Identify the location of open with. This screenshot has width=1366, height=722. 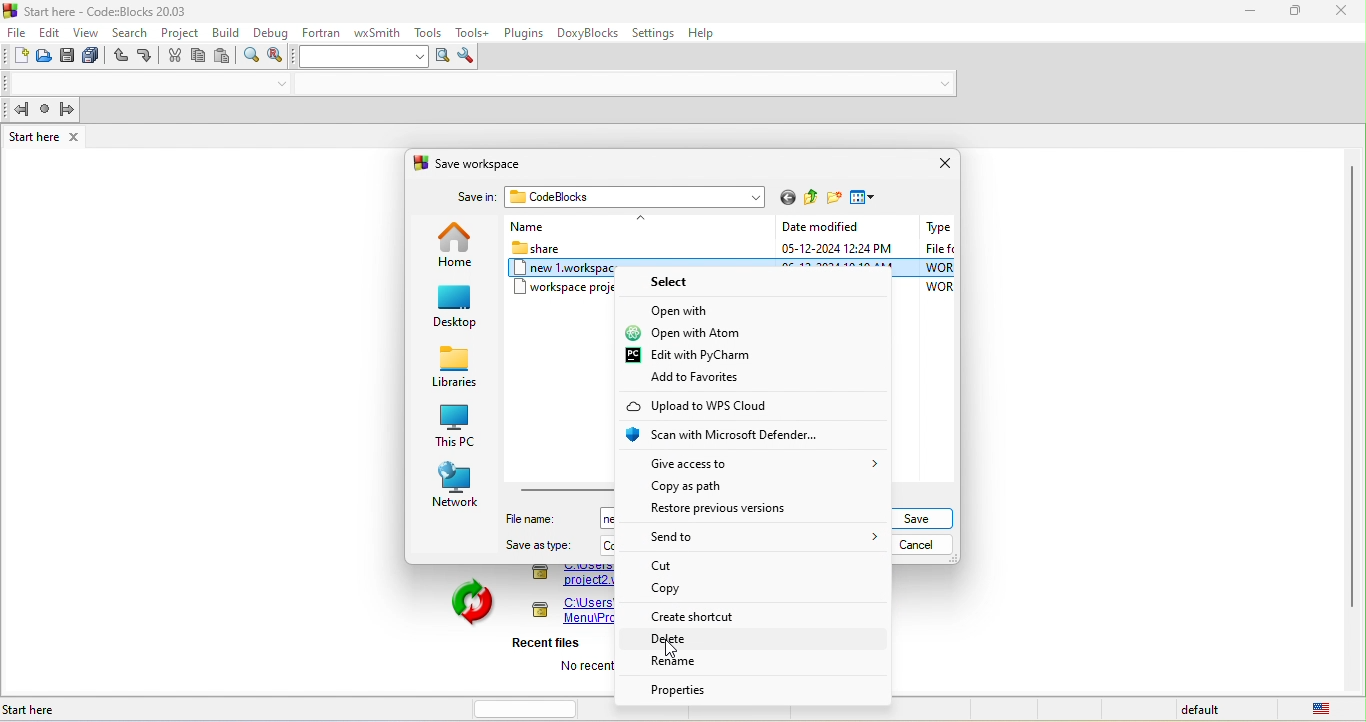
(690, 311).